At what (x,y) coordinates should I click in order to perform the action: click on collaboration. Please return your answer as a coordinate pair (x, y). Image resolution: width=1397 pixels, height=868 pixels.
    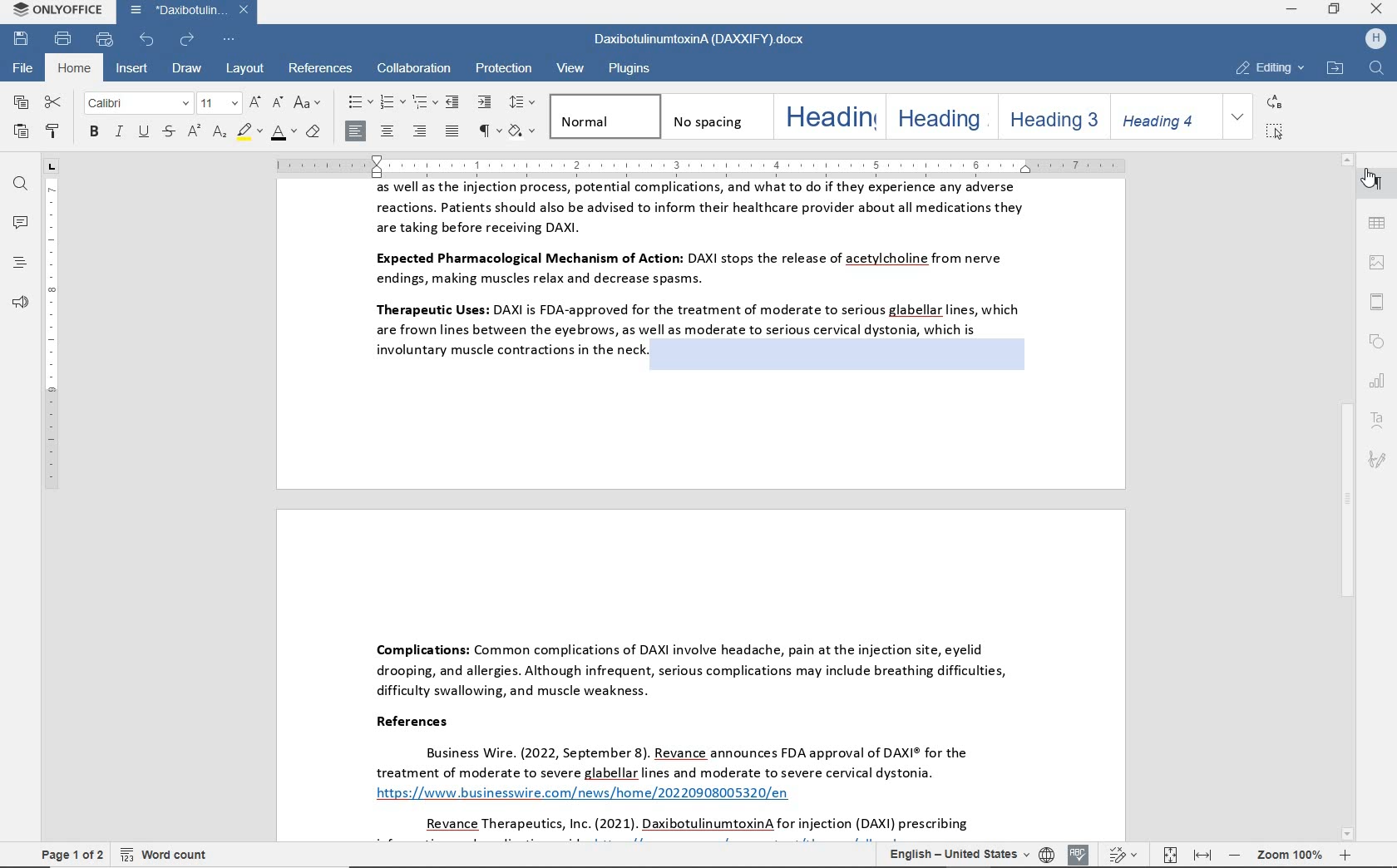
    Looking at the image, I should click on (412, 70).